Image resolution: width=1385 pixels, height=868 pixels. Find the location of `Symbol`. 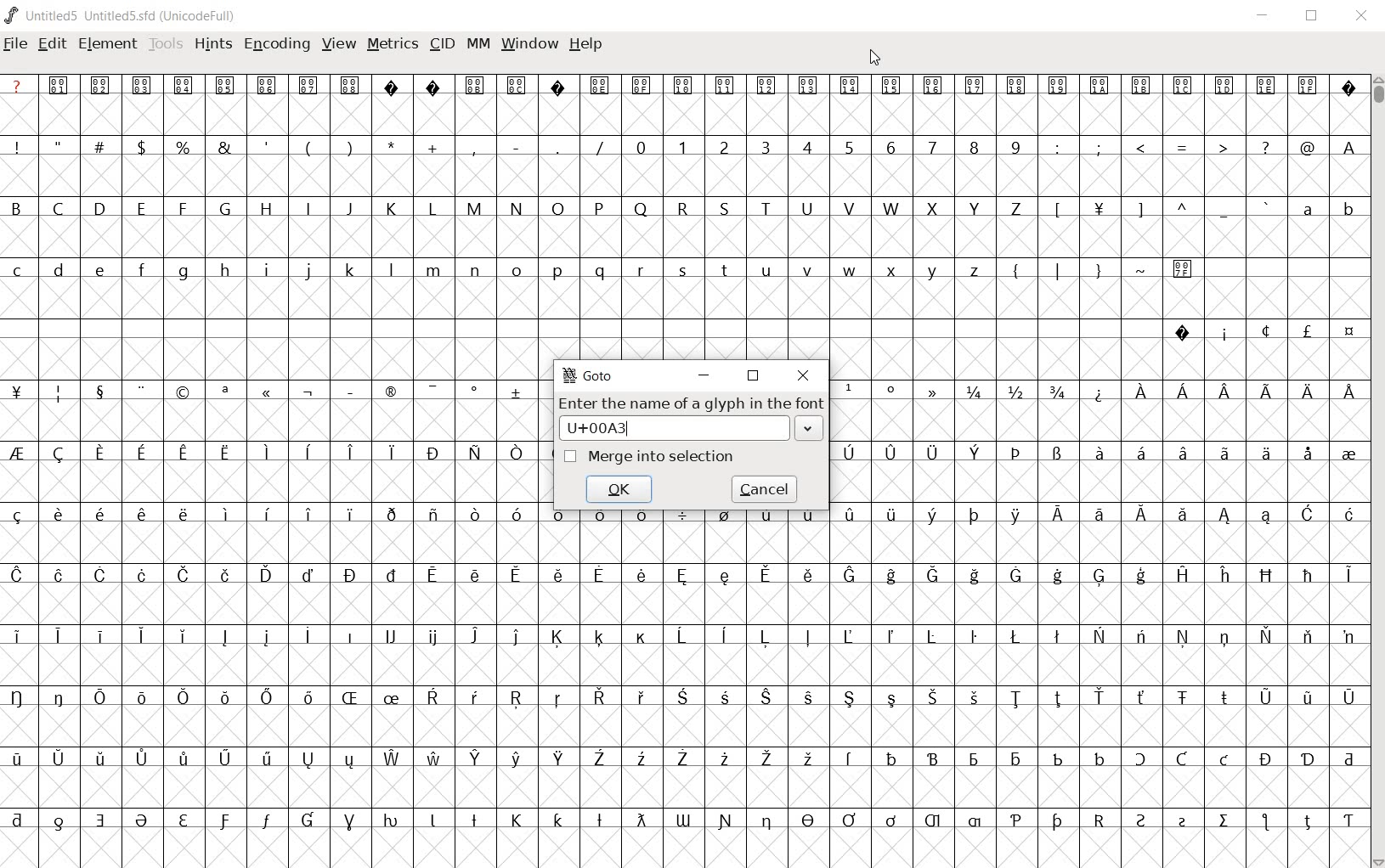

Symbol is located at coordinates (1055, 822).